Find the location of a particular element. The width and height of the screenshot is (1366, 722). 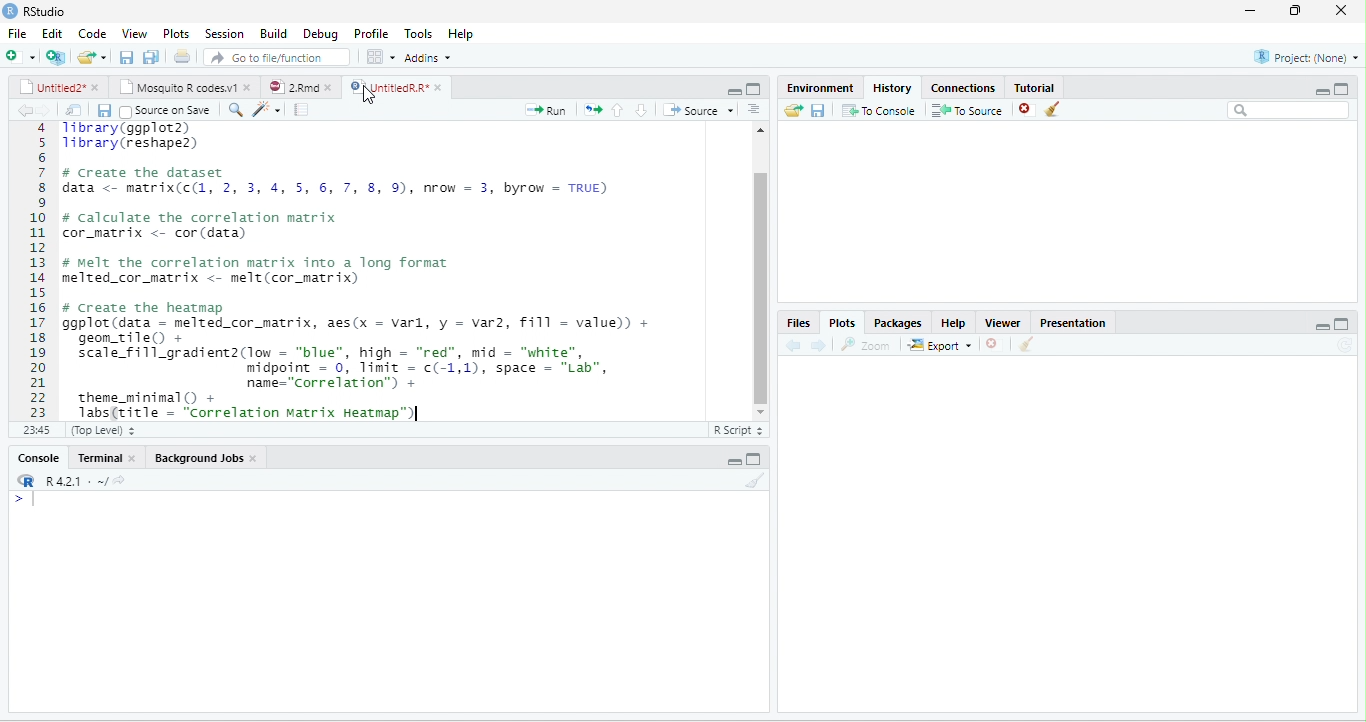

console is located at coordinates (33, 458).